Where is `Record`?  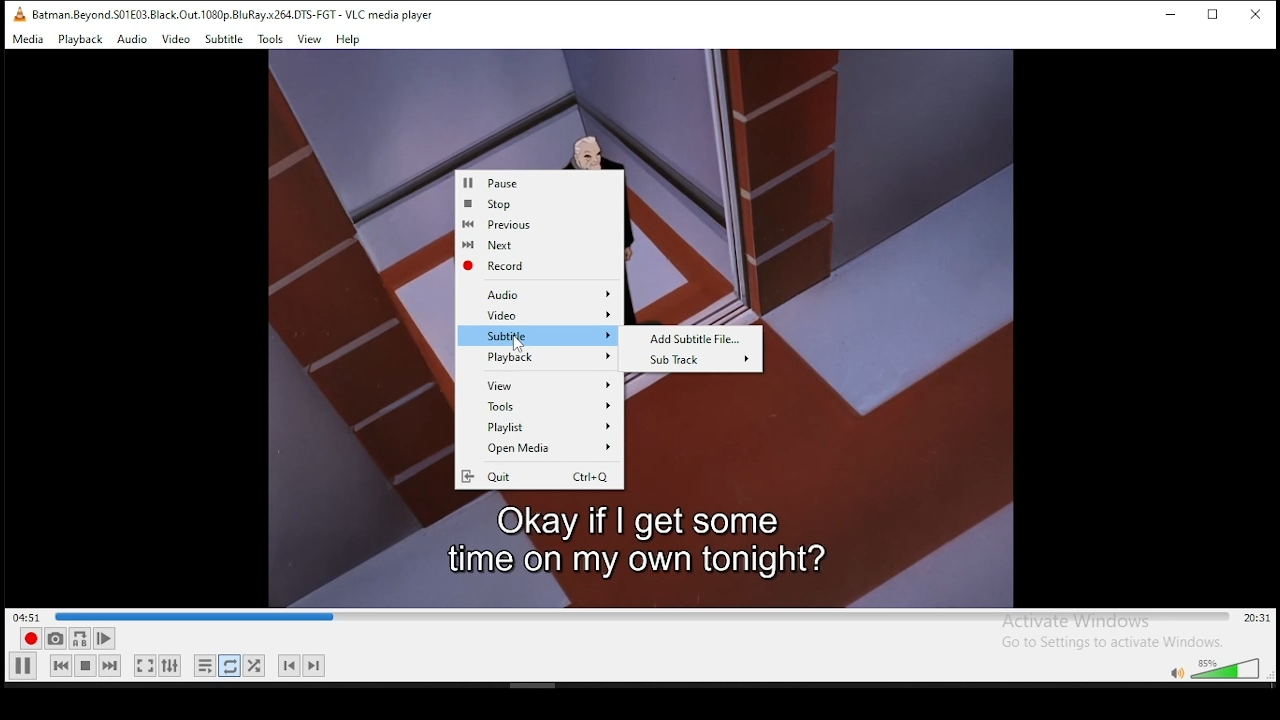
Record is located at coordinates (535, 267).